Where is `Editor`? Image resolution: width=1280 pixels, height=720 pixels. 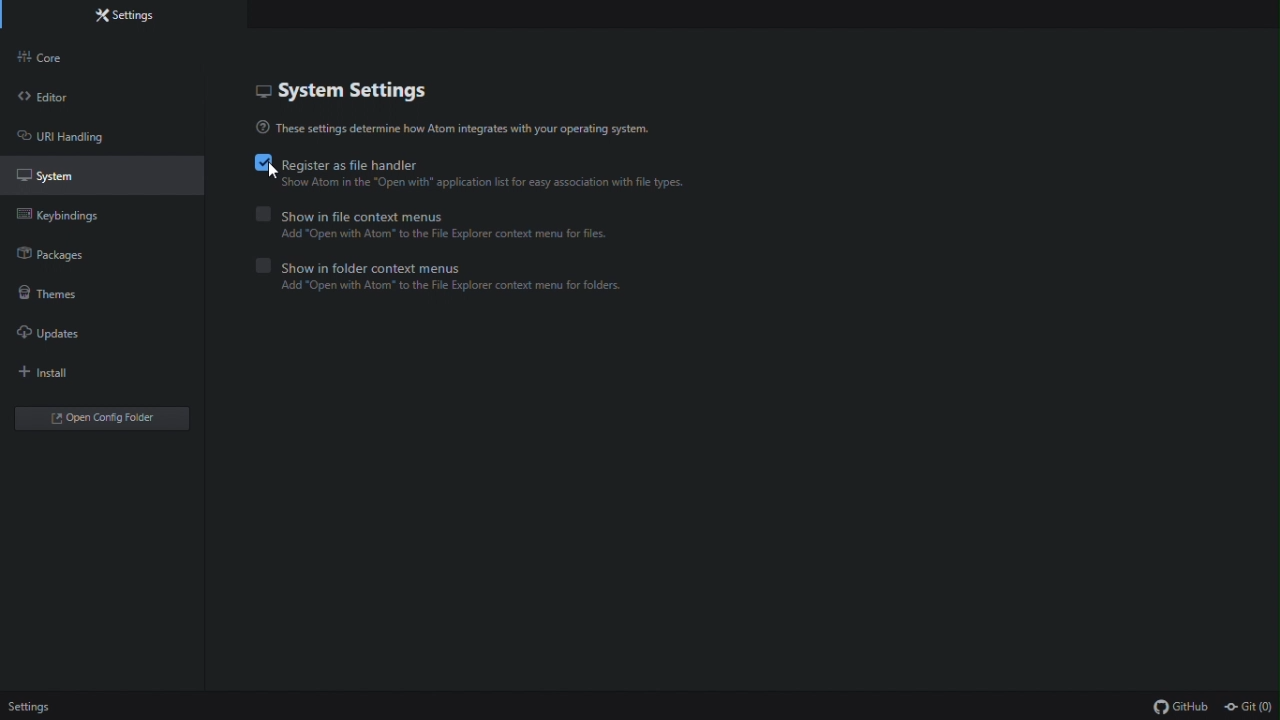
Editor is located at coordinates (72, 101).